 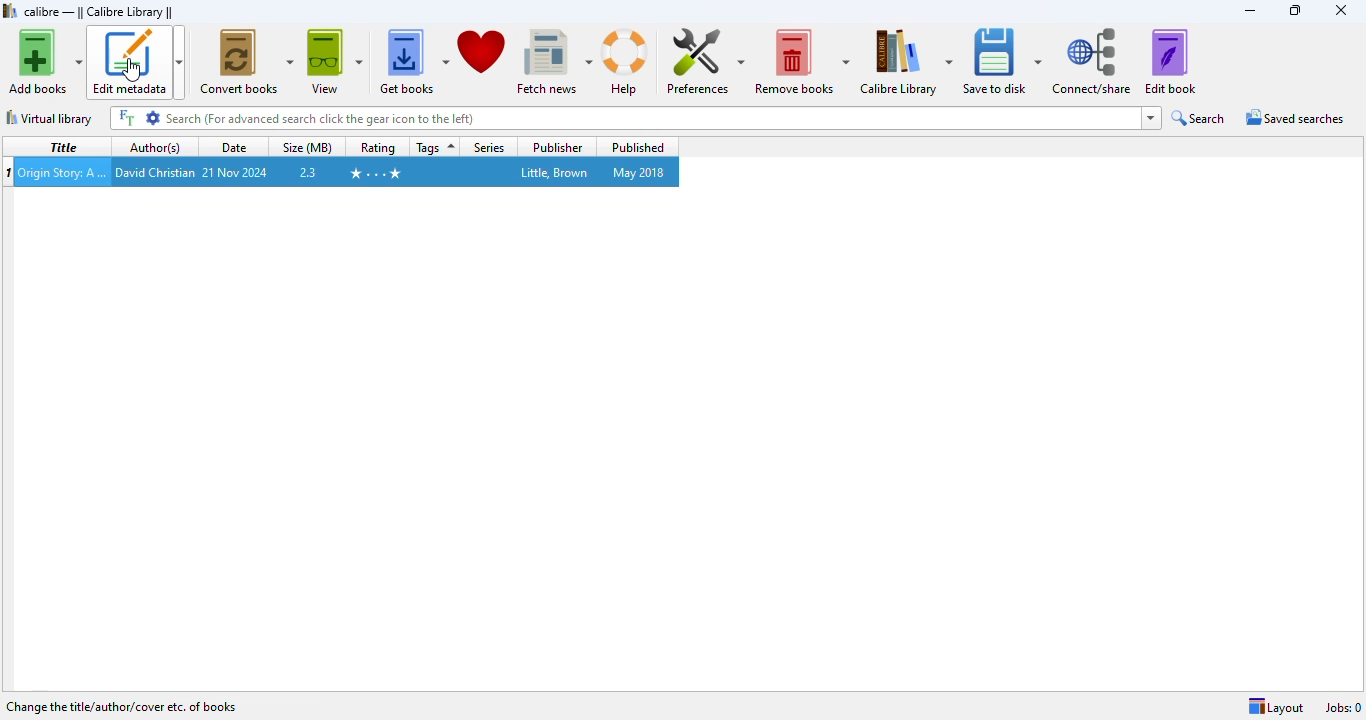 What do you see at coordinates (1152, 118) in the screenshot?
I see `dropdown` at bounding box center [1152, 118].